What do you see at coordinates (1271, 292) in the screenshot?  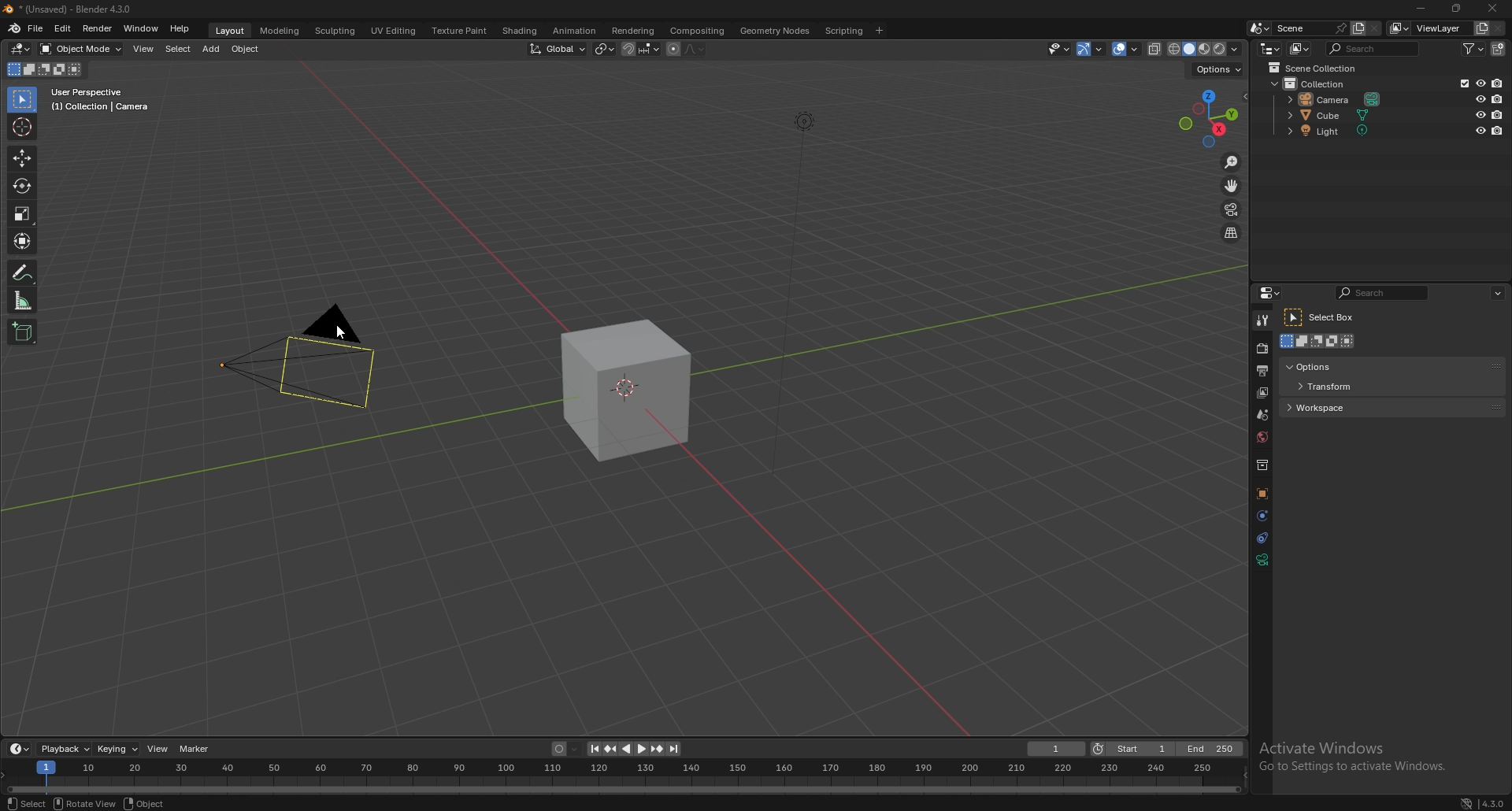 I see `editor type` at bounding box center [1271, 292].